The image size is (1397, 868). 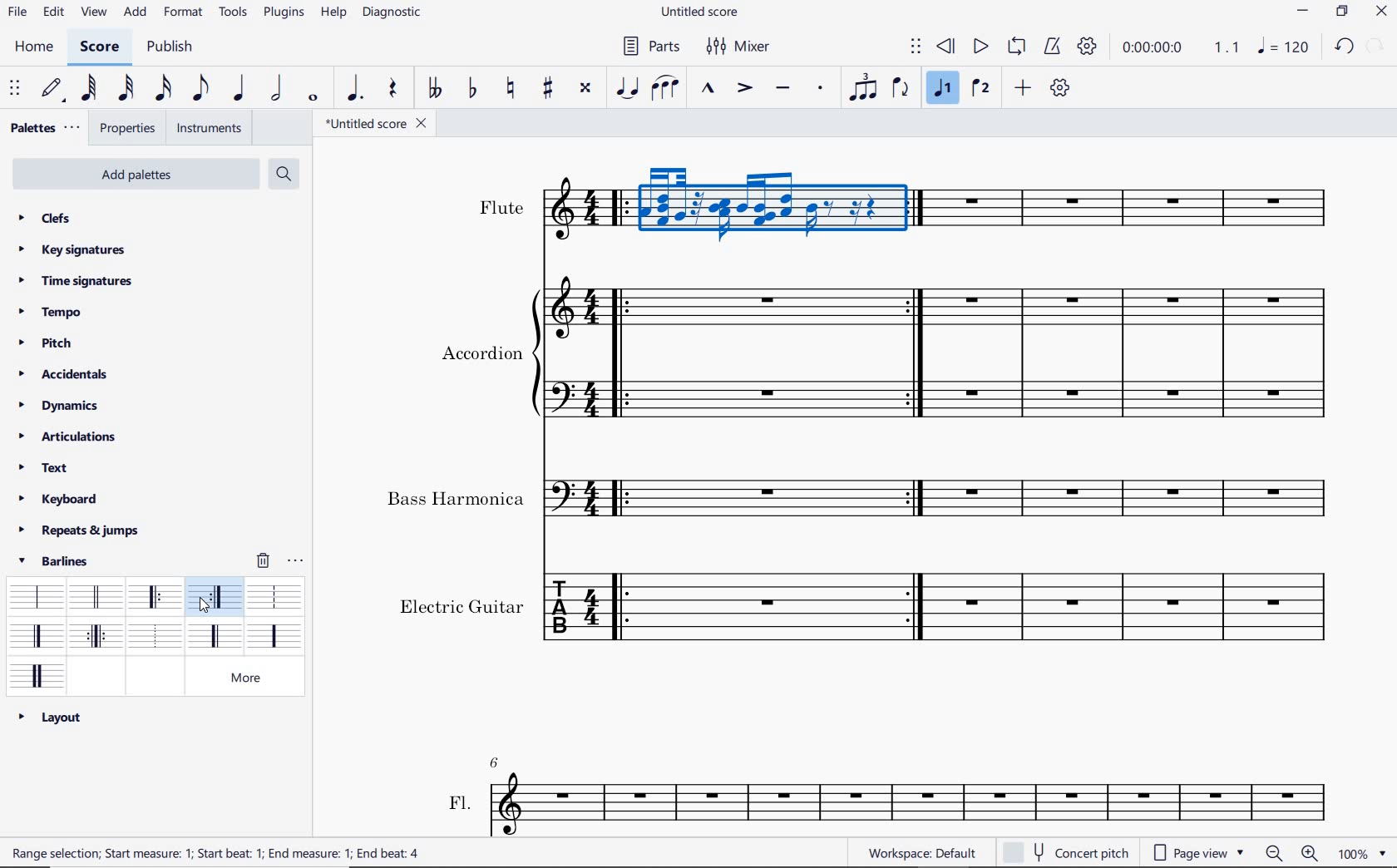 I want to click on rewind, so click(x=946, y=47).